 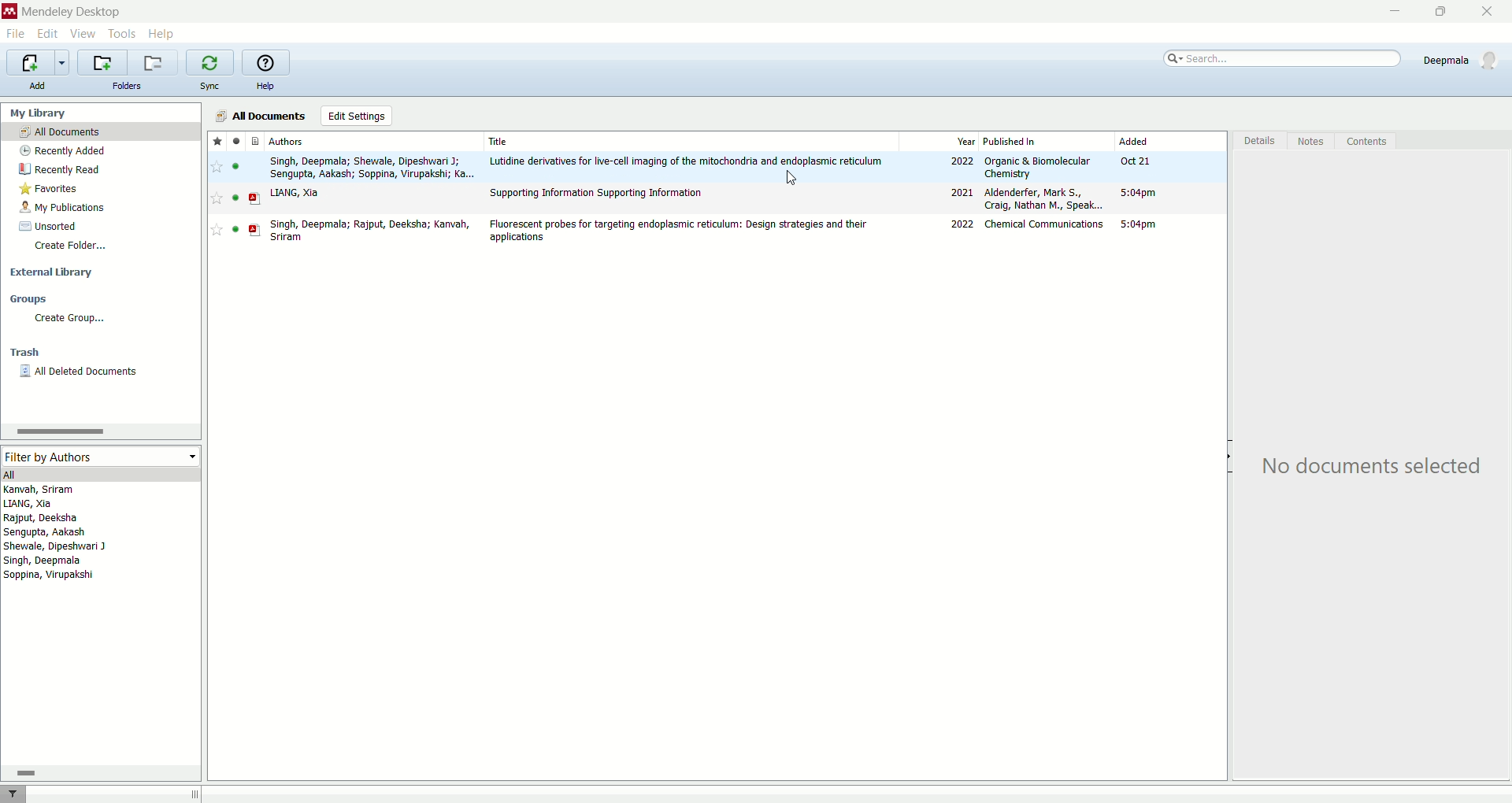 I want to click on horizontal scroll bar, so click(x=99, y=431).